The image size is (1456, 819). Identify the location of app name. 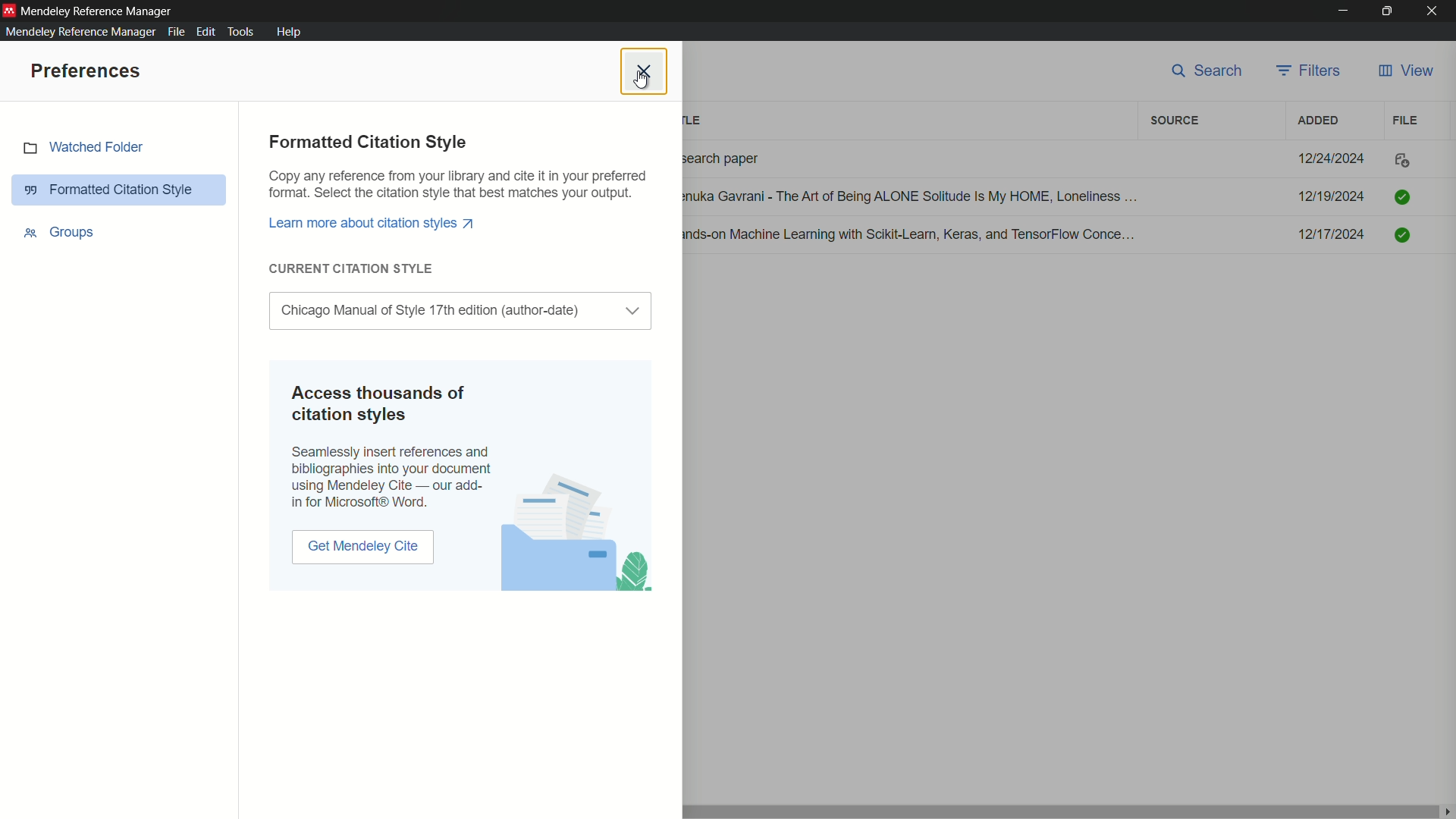
(99, 10).